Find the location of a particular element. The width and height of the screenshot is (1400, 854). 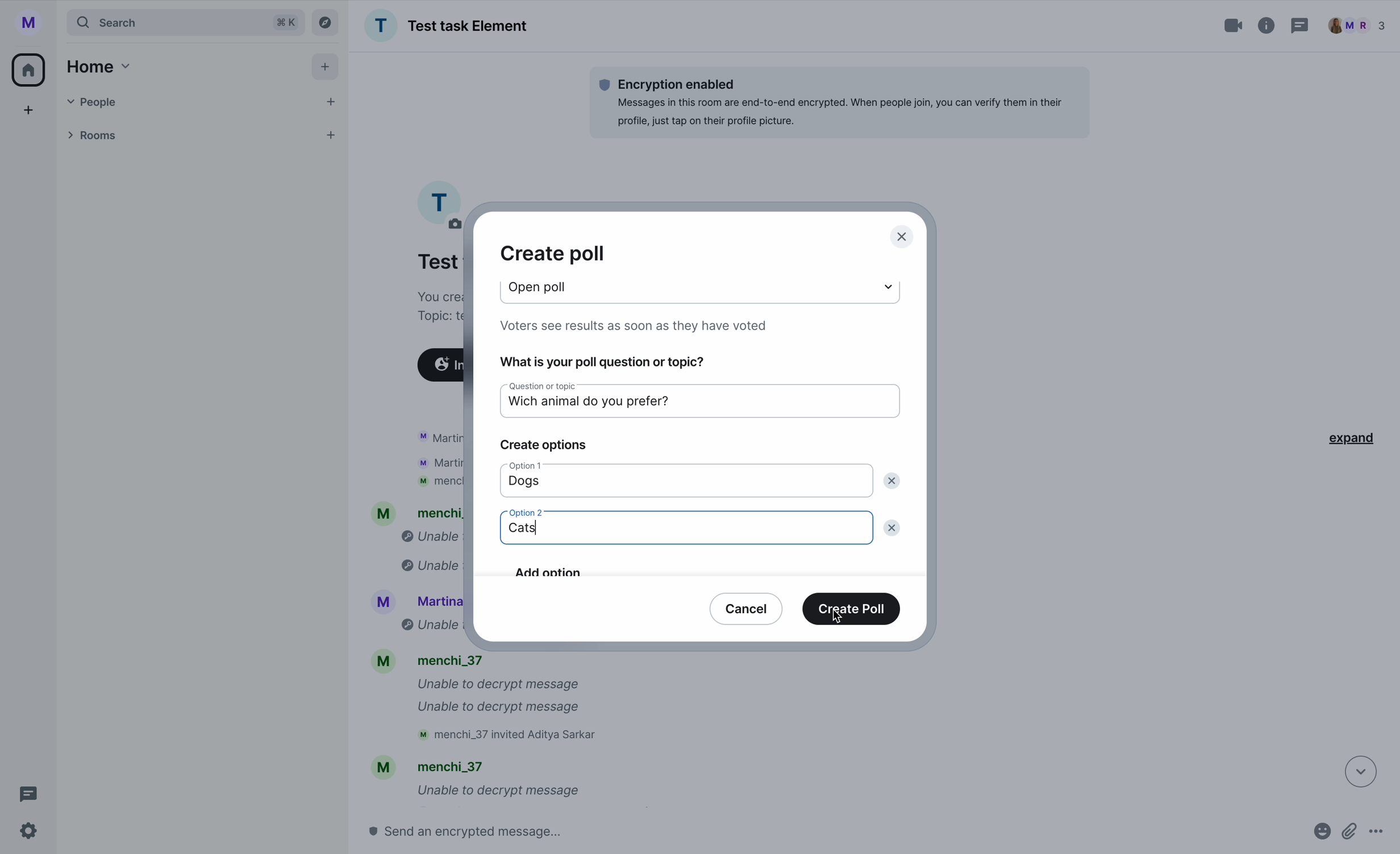

 Encryption enabledMessages in this room are end-to-end encrypted. When people join, you can verify them in theirprofile, just tap on their profile picture. is located at coordinates (838, 102).